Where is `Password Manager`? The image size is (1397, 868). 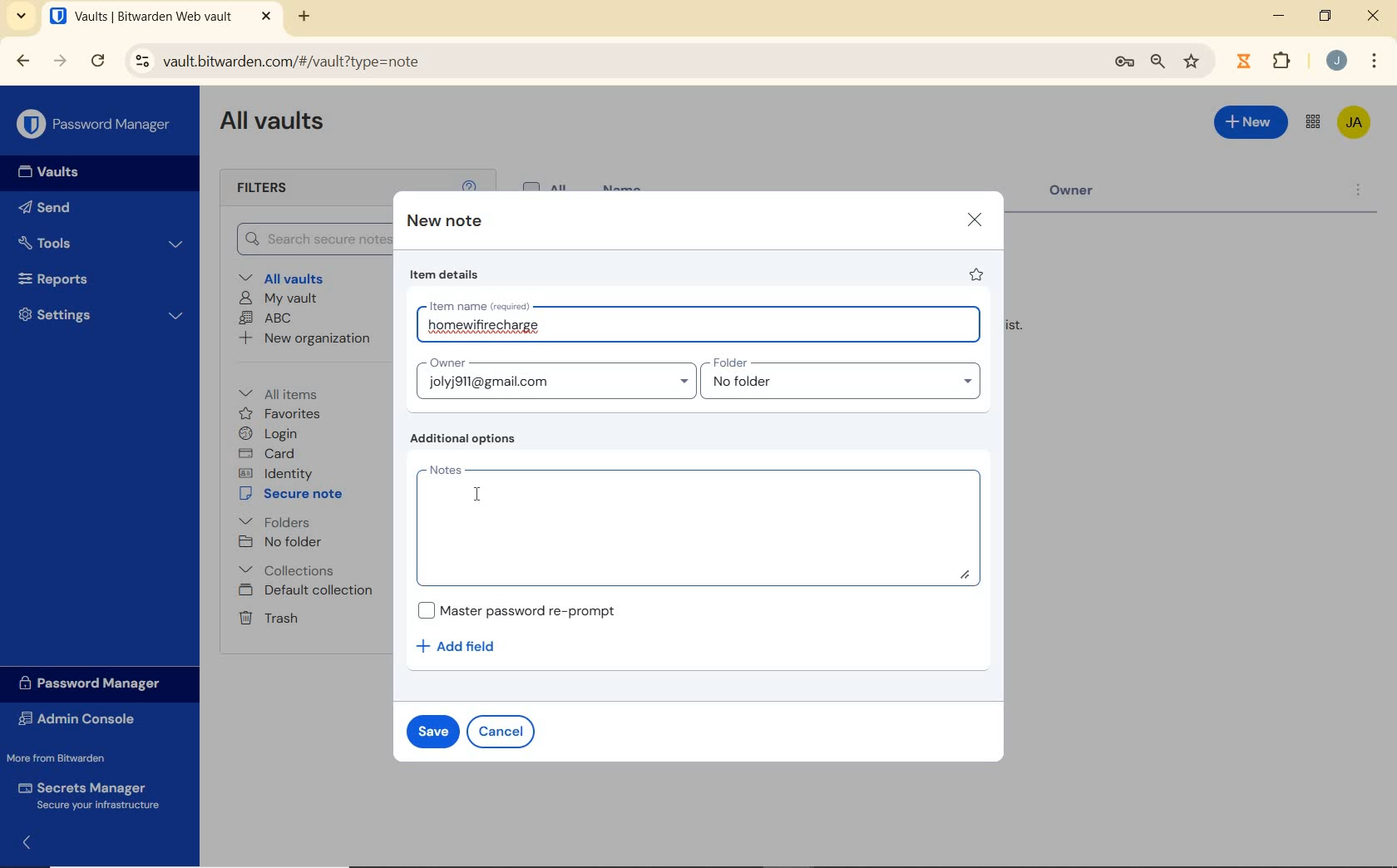
Password Manager is located at coordinates (95, 125).